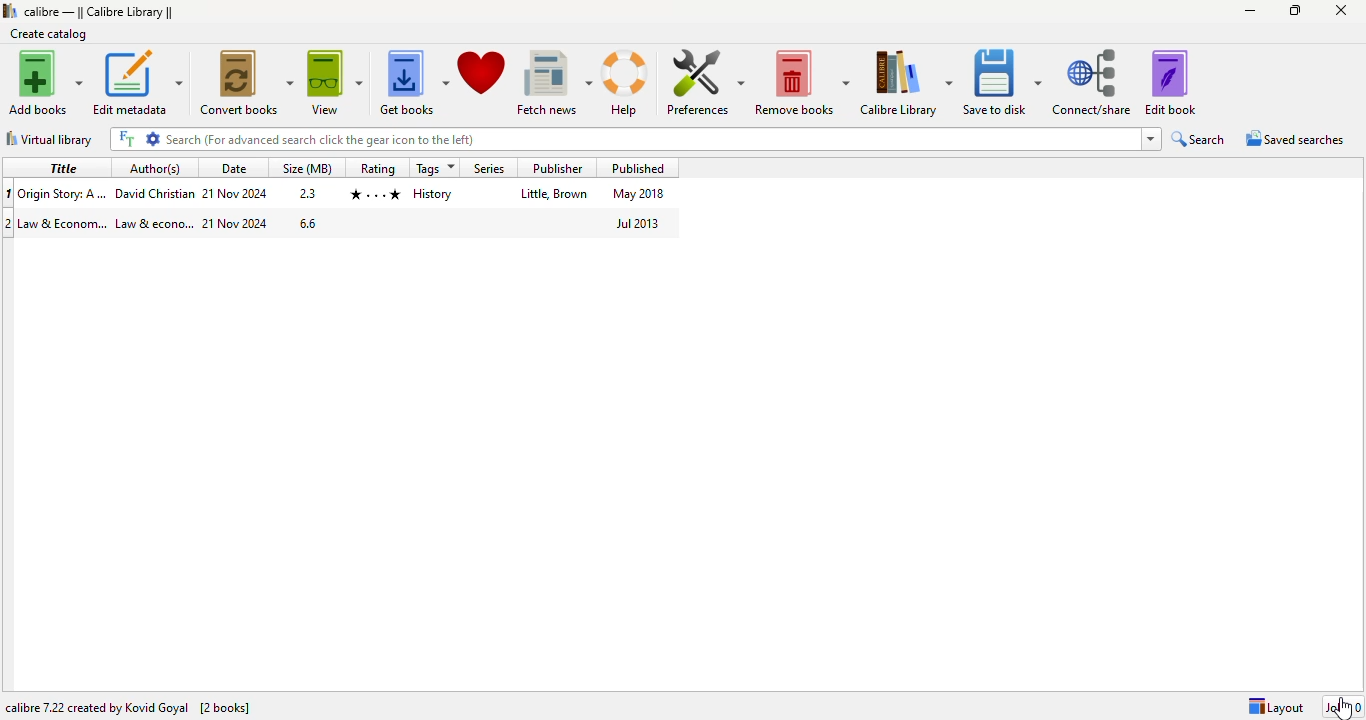  Describe the element at coordinates (1340, 10) in the screenshot. I see `close` at that location.